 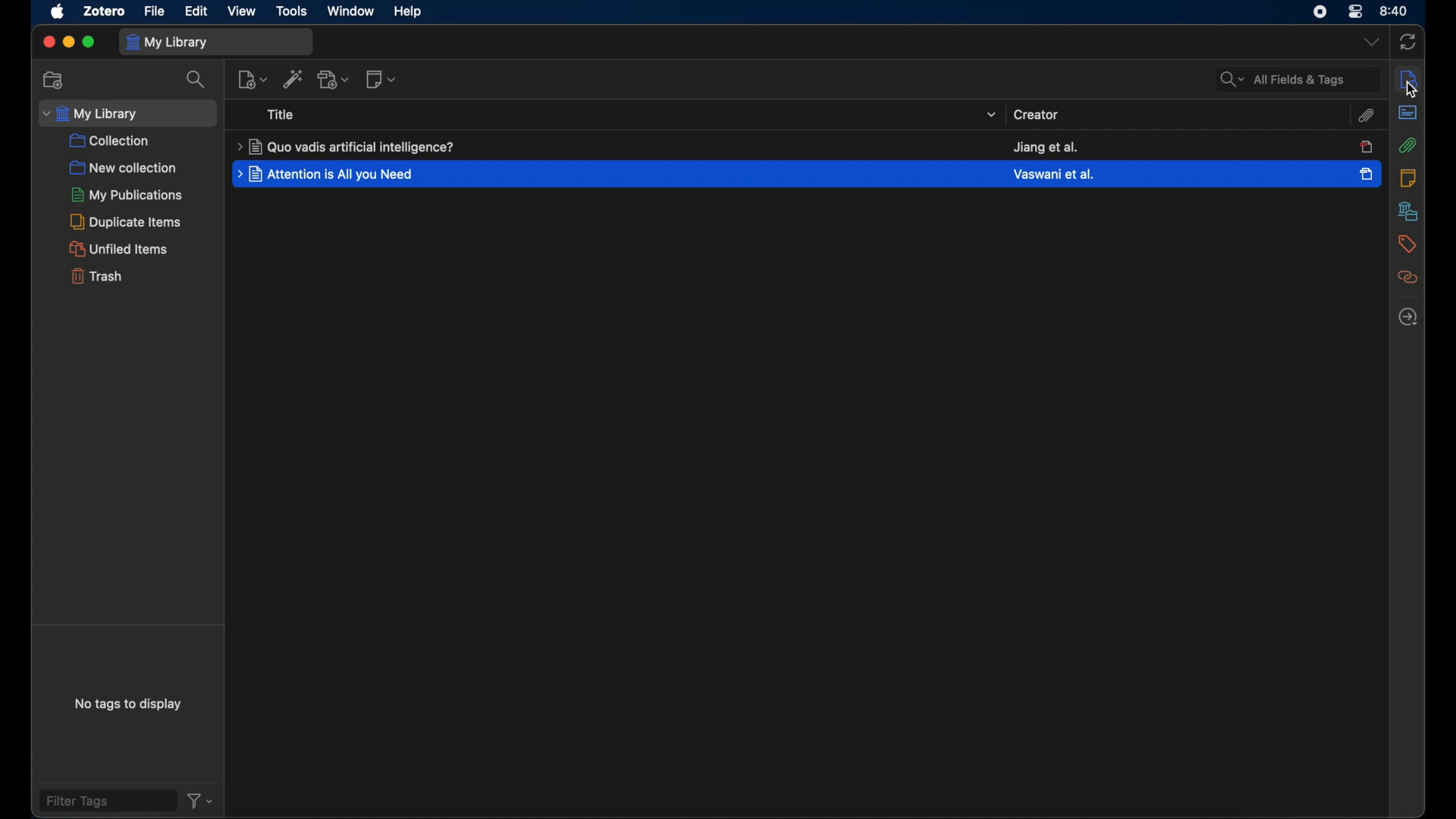 What do you see at coordinates (252, 79) in the screenshot?
I see `new item` at bounding box center [252, 79].